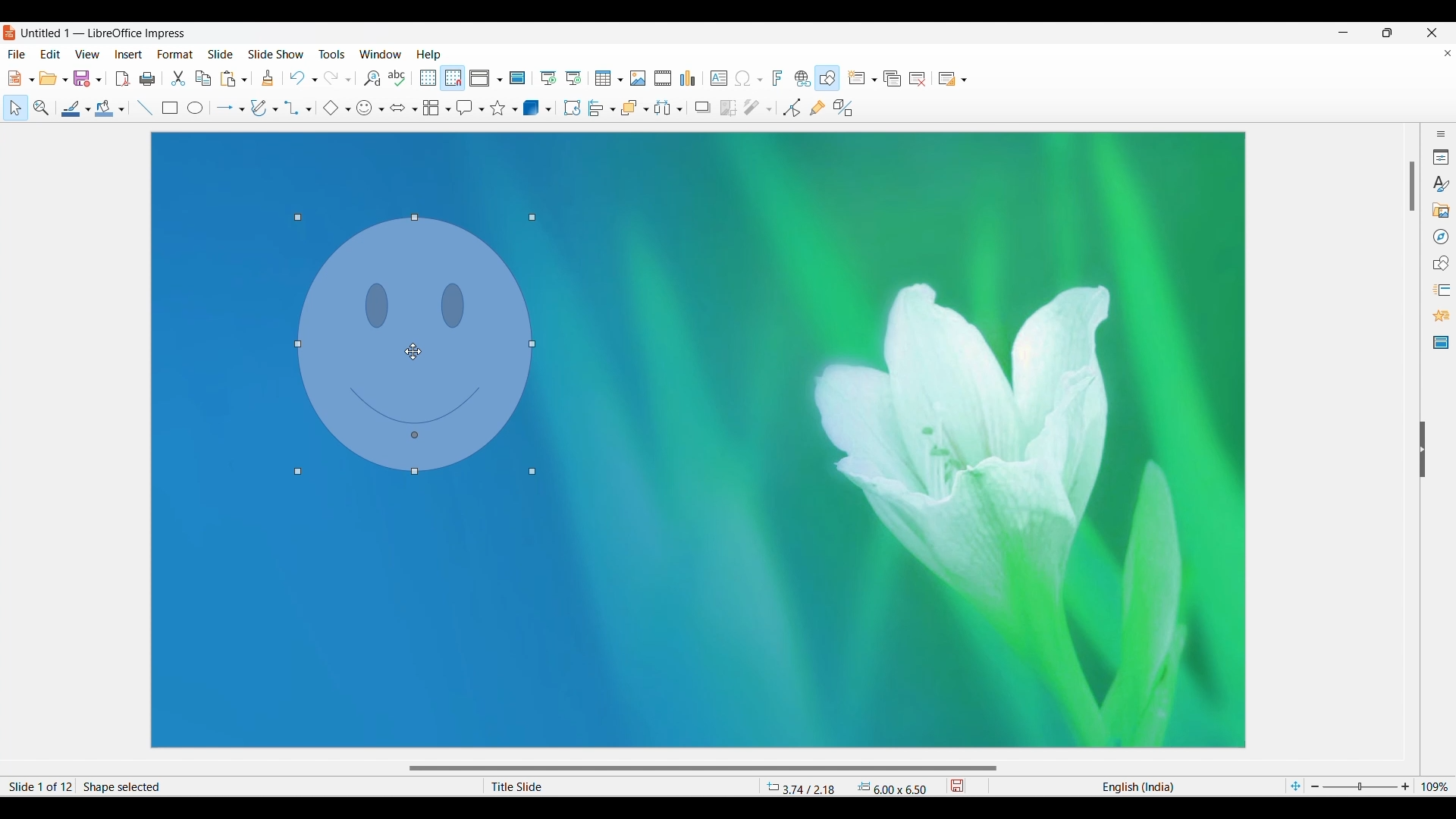  Describe the element at coordinates (87, 53) in the screenshot. I see `View` at that location.